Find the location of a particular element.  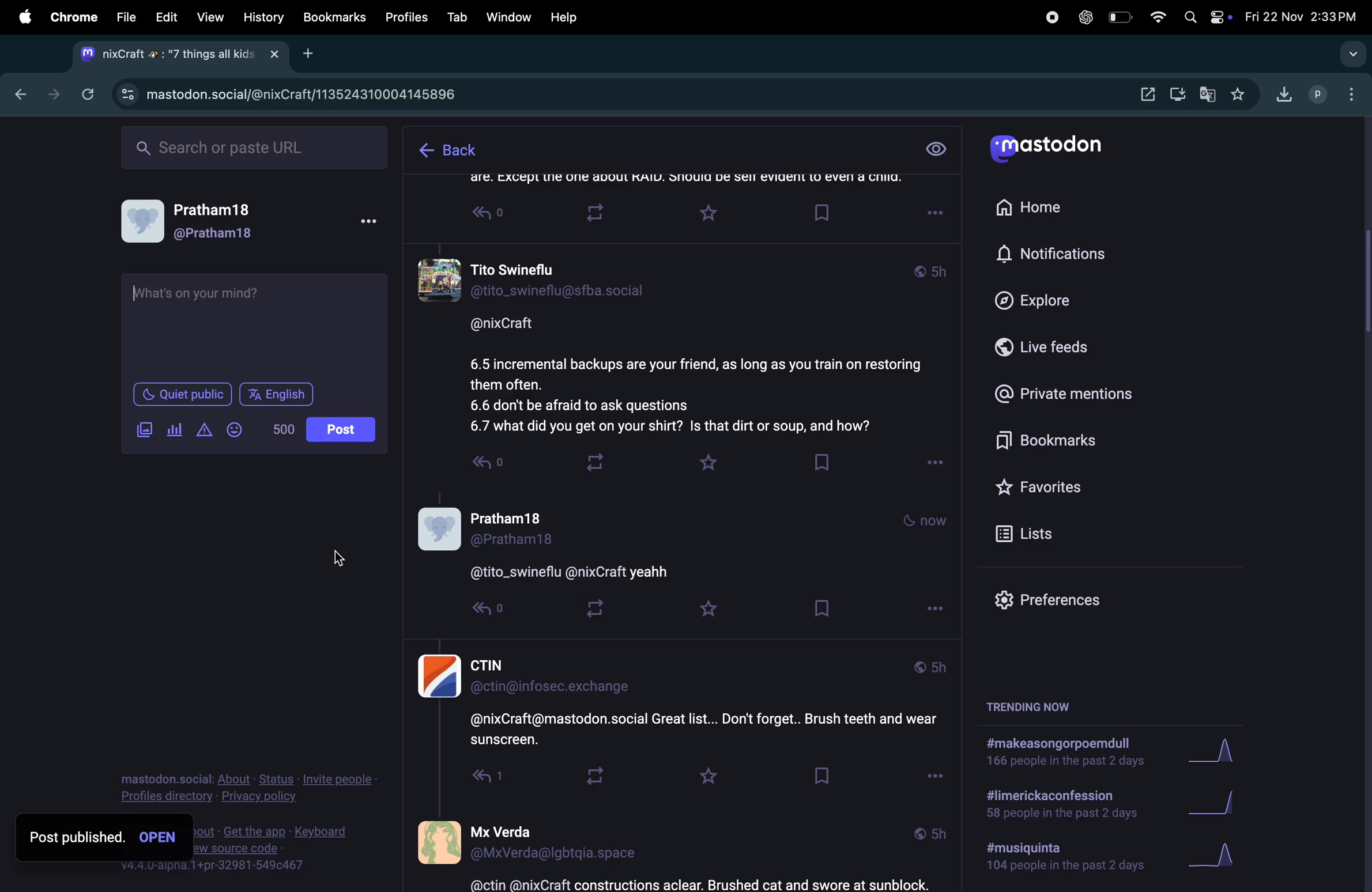

apple widgets is located at coordinates (1208, 17).